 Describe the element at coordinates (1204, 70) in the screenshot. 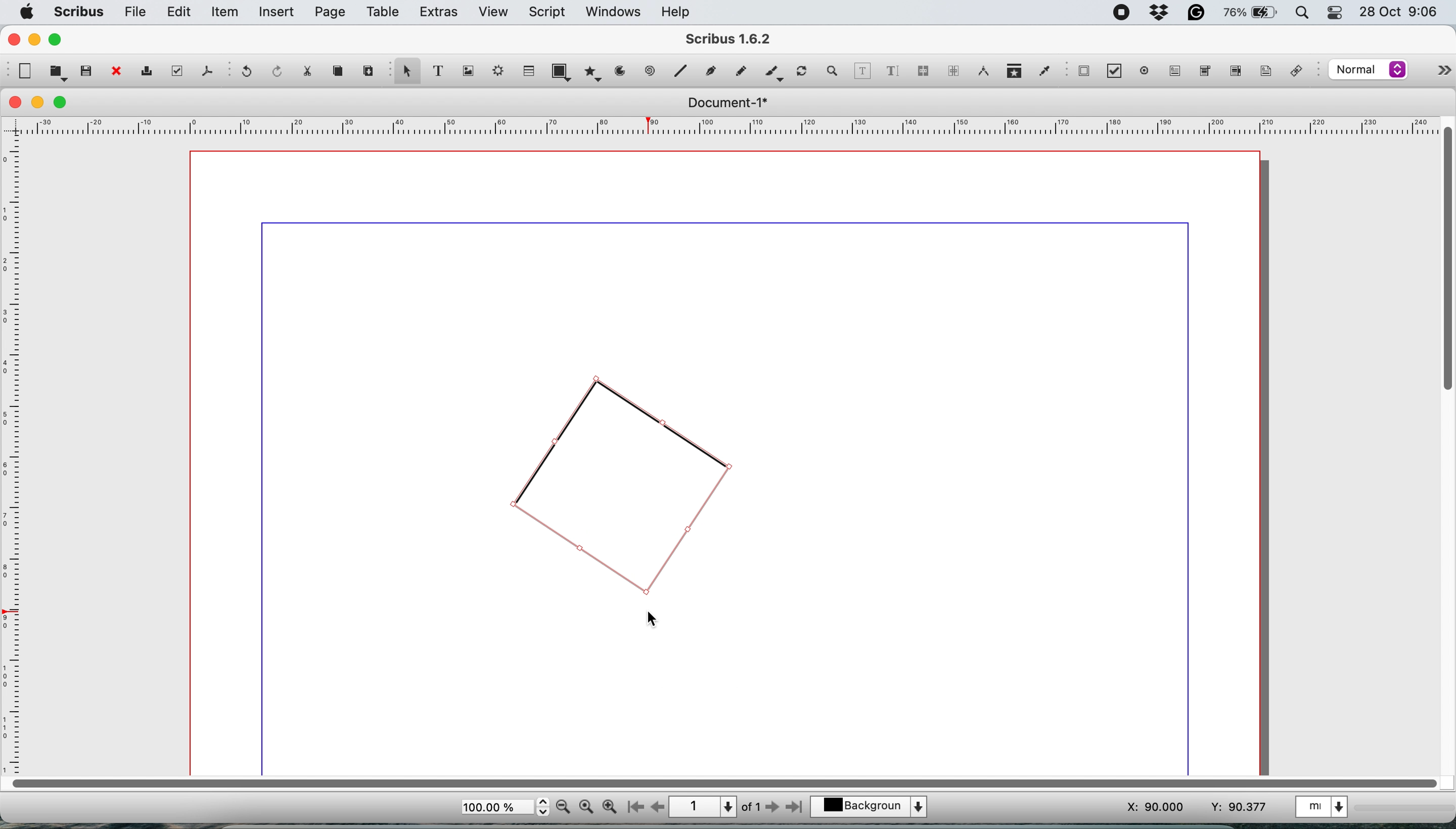

I see `pdf combo box` at that location.